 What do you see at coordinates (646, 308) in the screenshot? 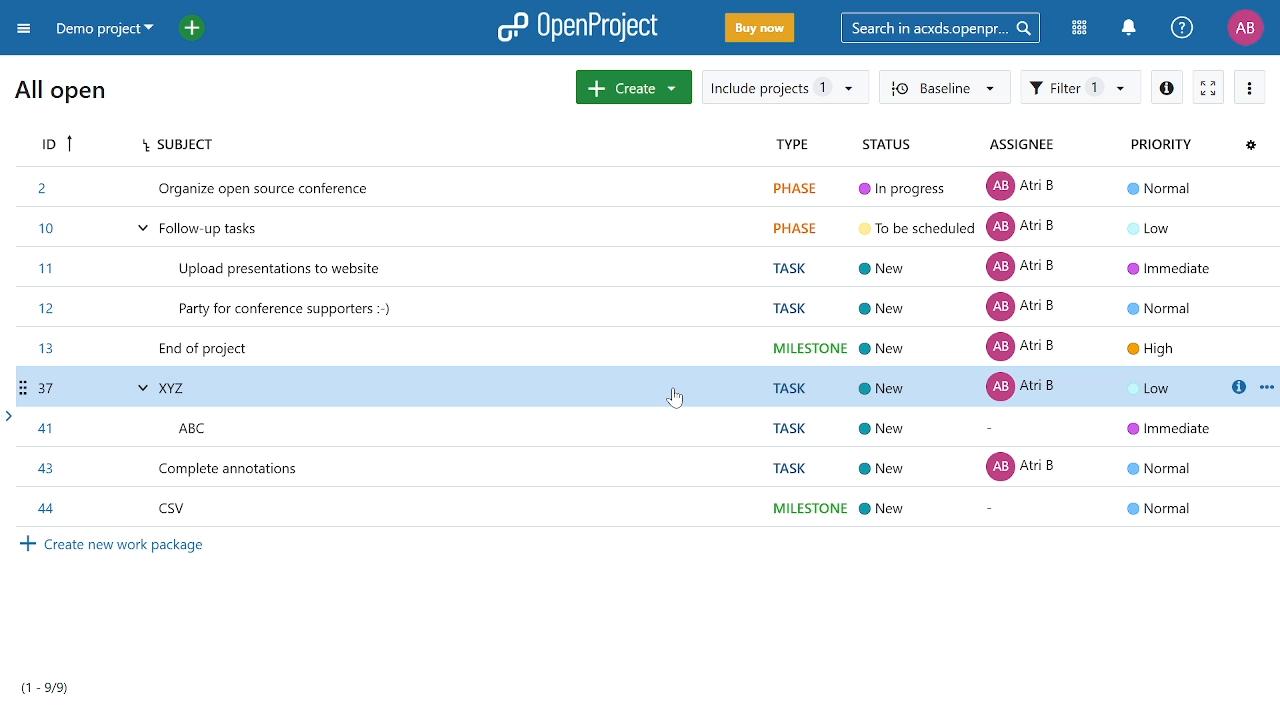
I see `work package ID 12 details` at bounding box center [646, 308].